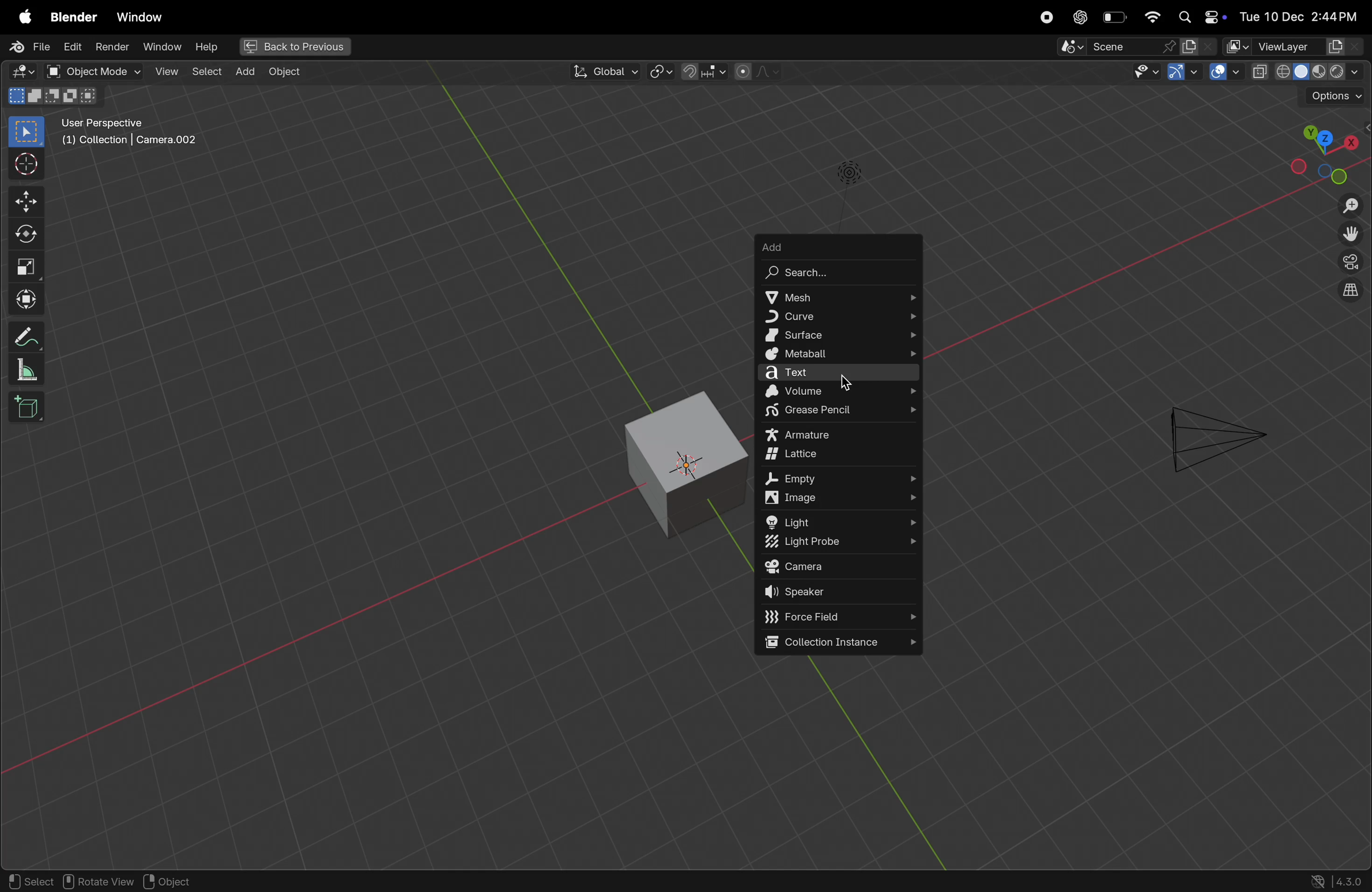 The image size is (1372, 892). What do you see at coordinates (22, 337) in the screenshot?
I see `pencil` at bounding box center [22, 337].